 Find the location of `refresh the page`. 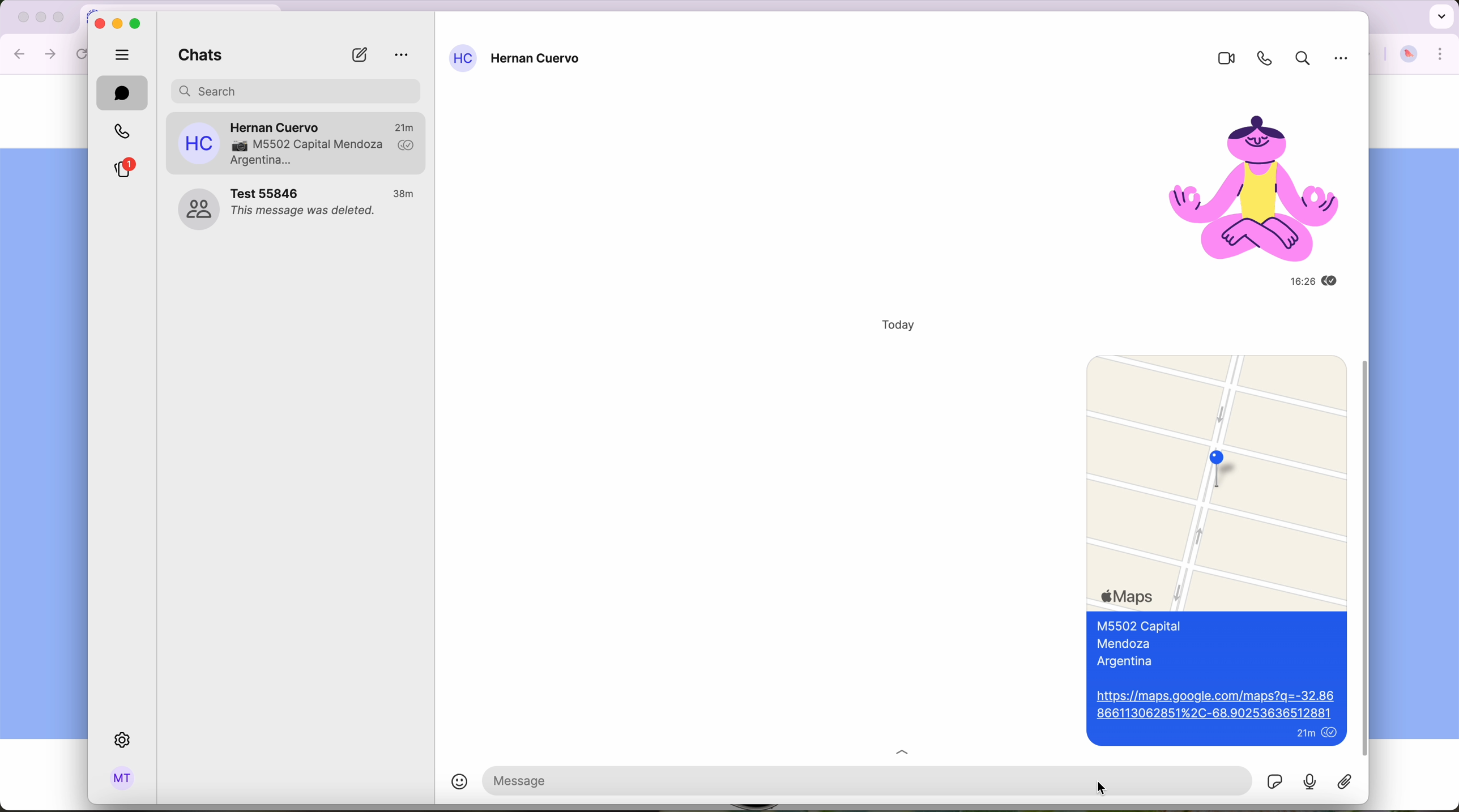

refresh the page is located at coordinates (84, 54).